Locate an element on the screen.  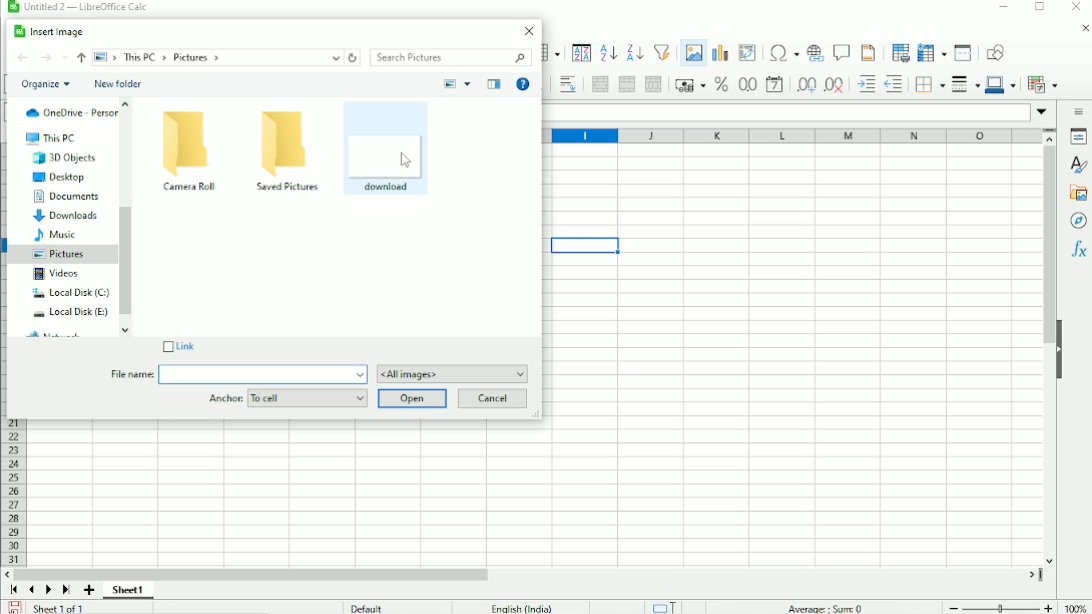
More options is located at coordinates (467, 83).